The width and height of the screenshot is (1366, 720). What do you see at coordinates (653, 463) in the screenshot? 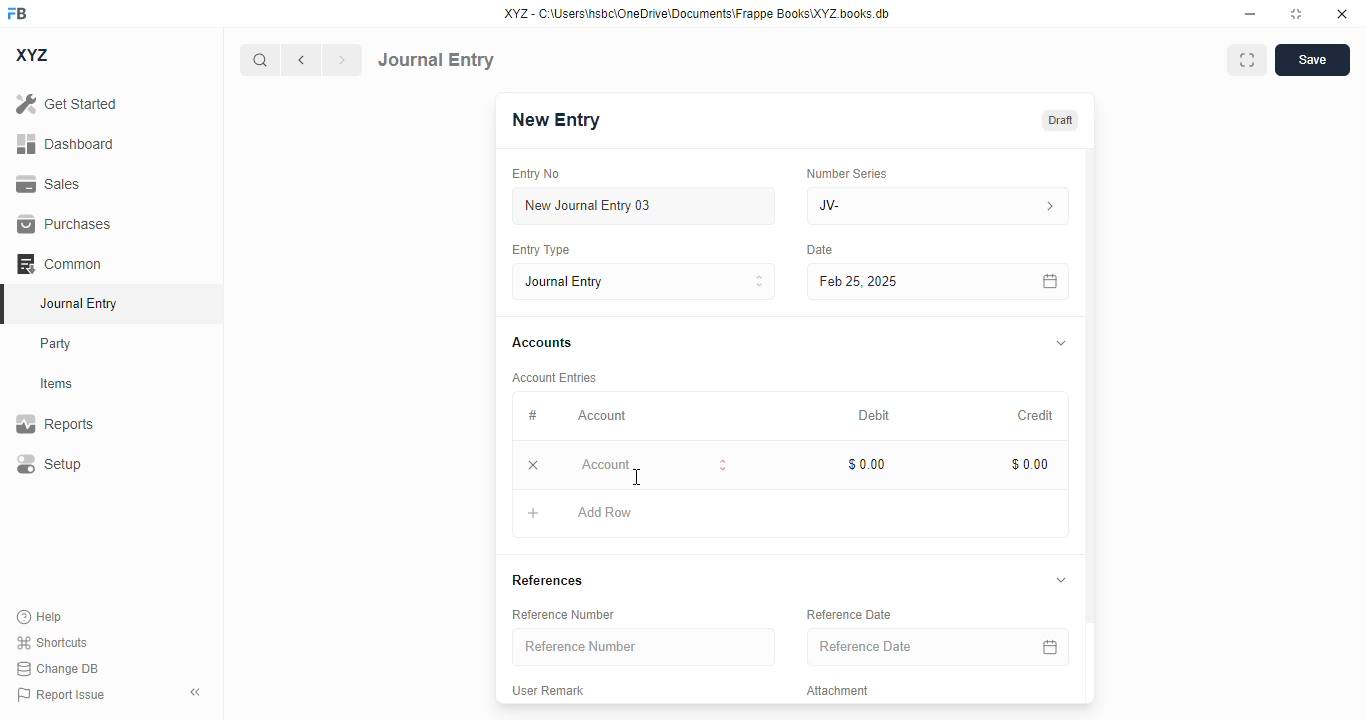
I see `account` at bounding box center [653, 463].